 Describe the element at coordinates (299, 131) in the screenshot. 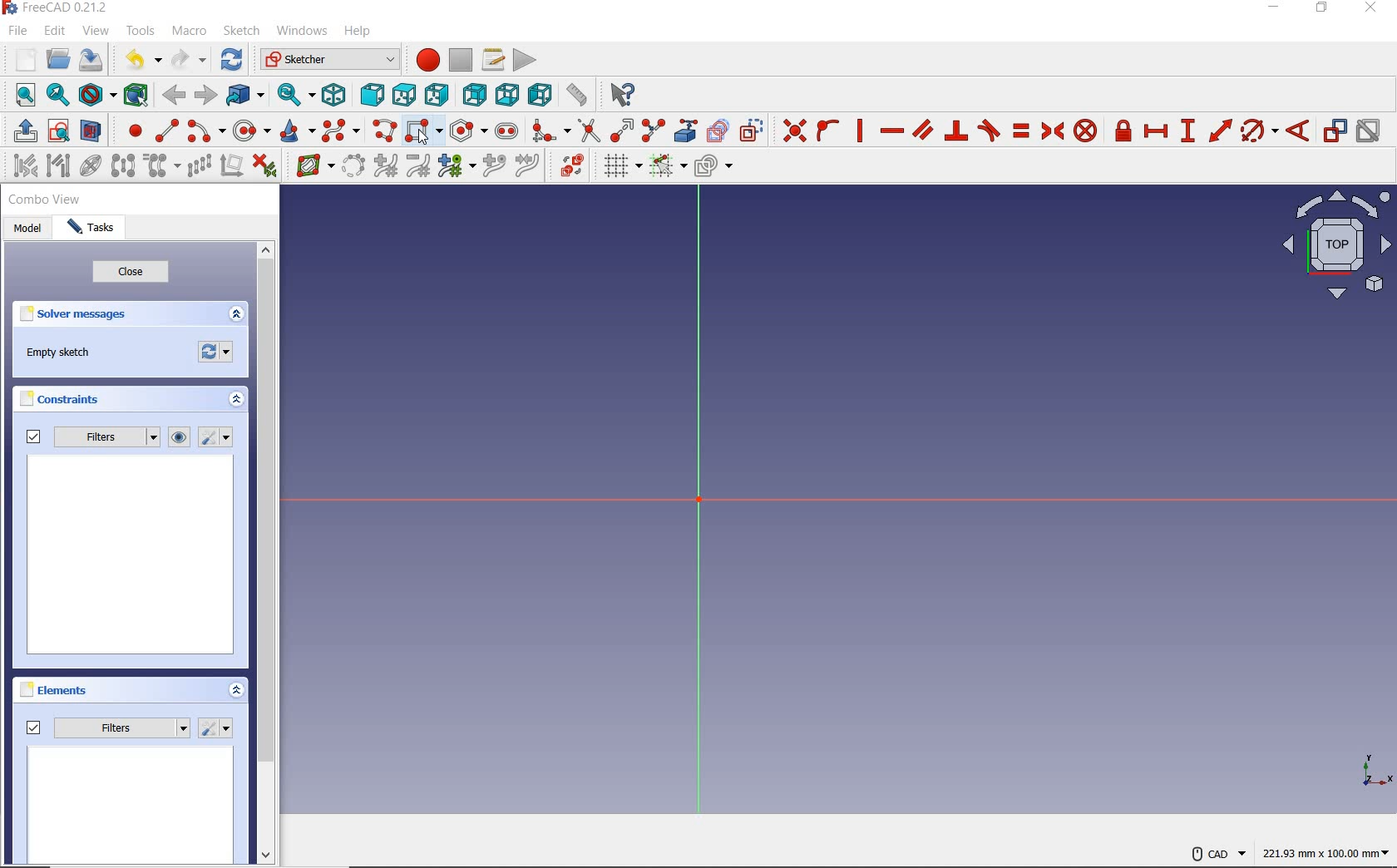

I see `create conic` at that location.